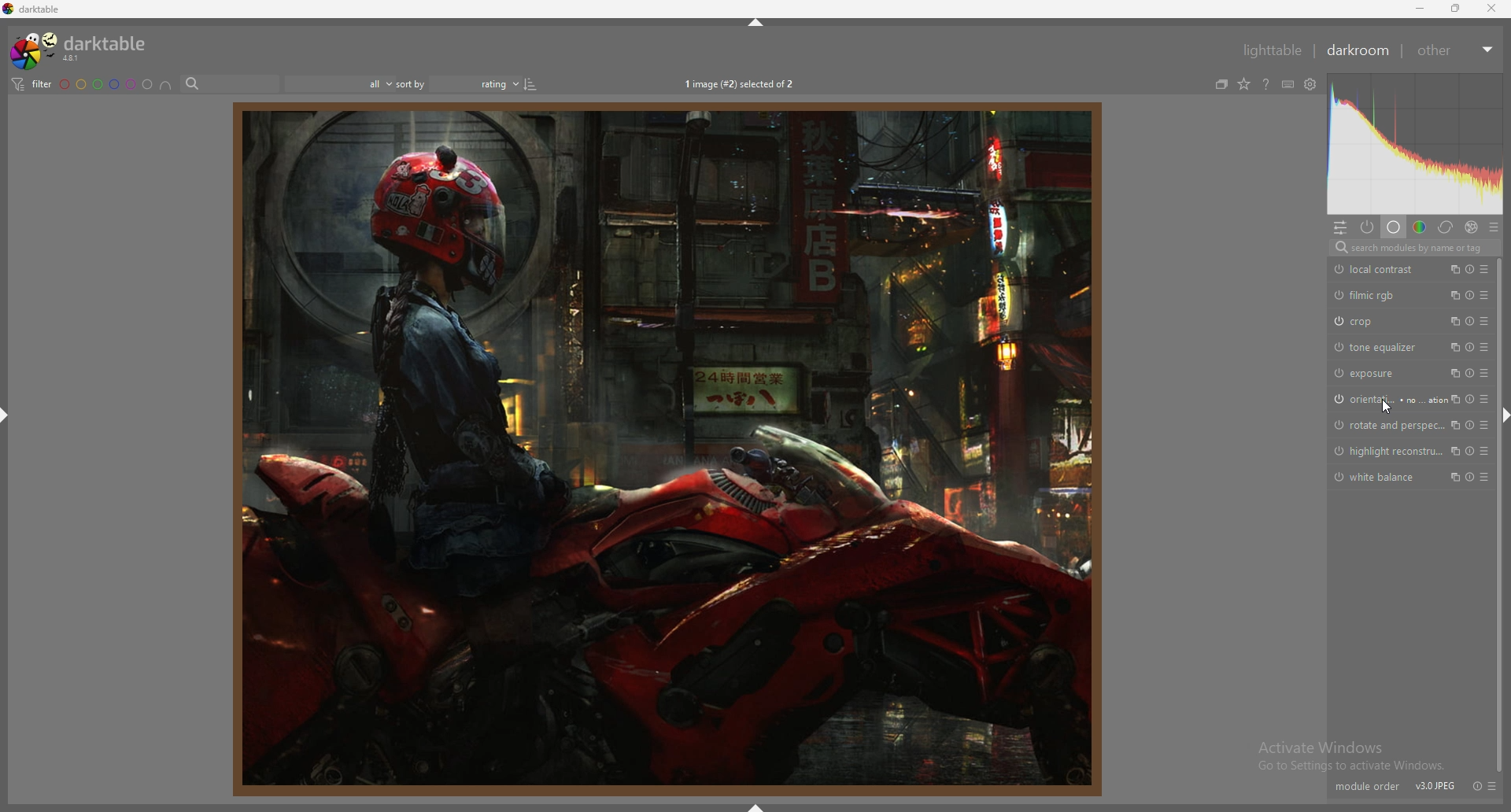 This screenshot has height=812, width=1511. I want to click on hide, so click(1502, 415).